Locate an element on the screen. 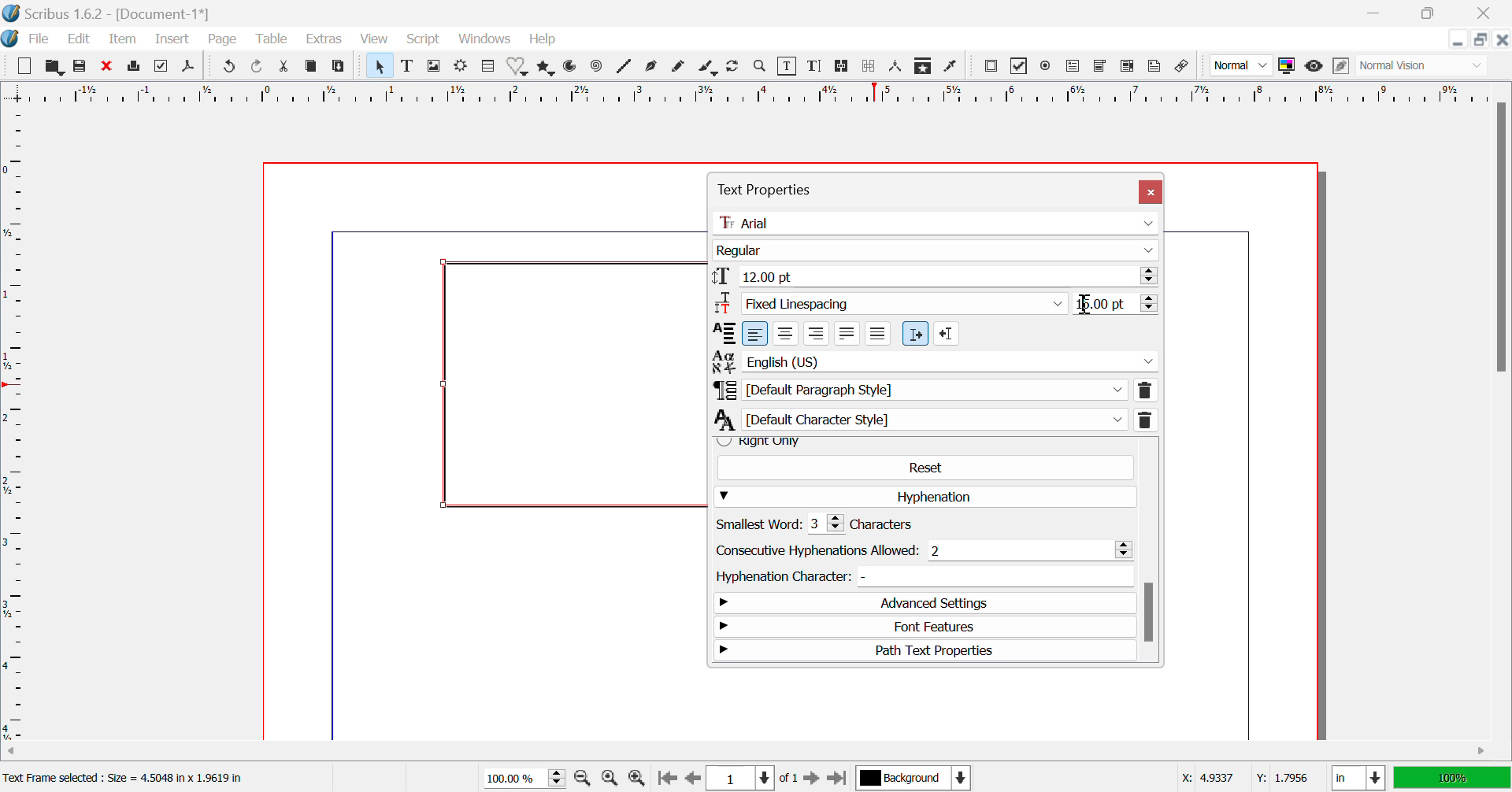  Hyphenation is located at coordinates (926, 497).